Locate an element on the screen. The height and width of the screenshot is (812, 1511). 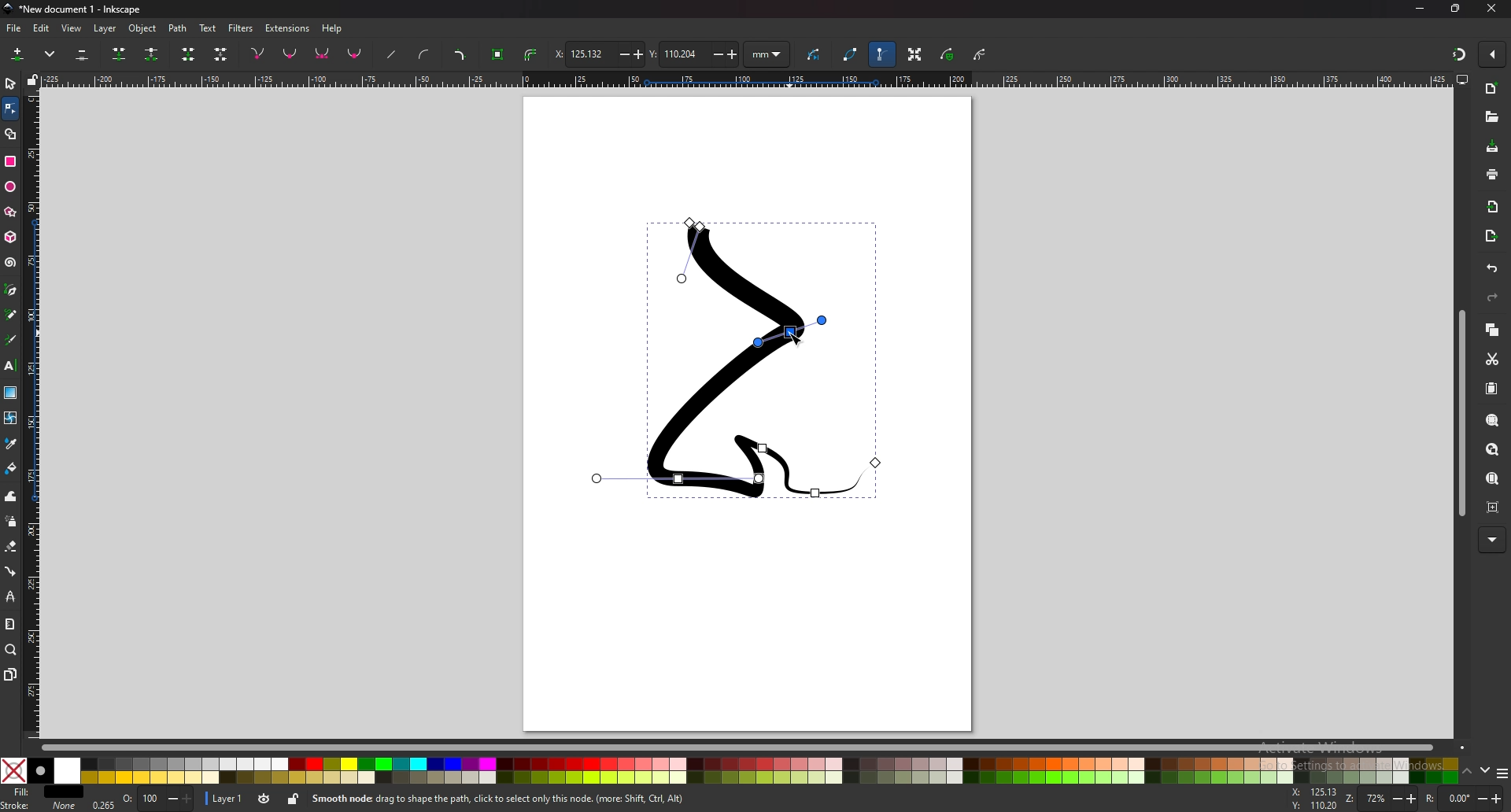
dropper is located at coordinates (11, 444).